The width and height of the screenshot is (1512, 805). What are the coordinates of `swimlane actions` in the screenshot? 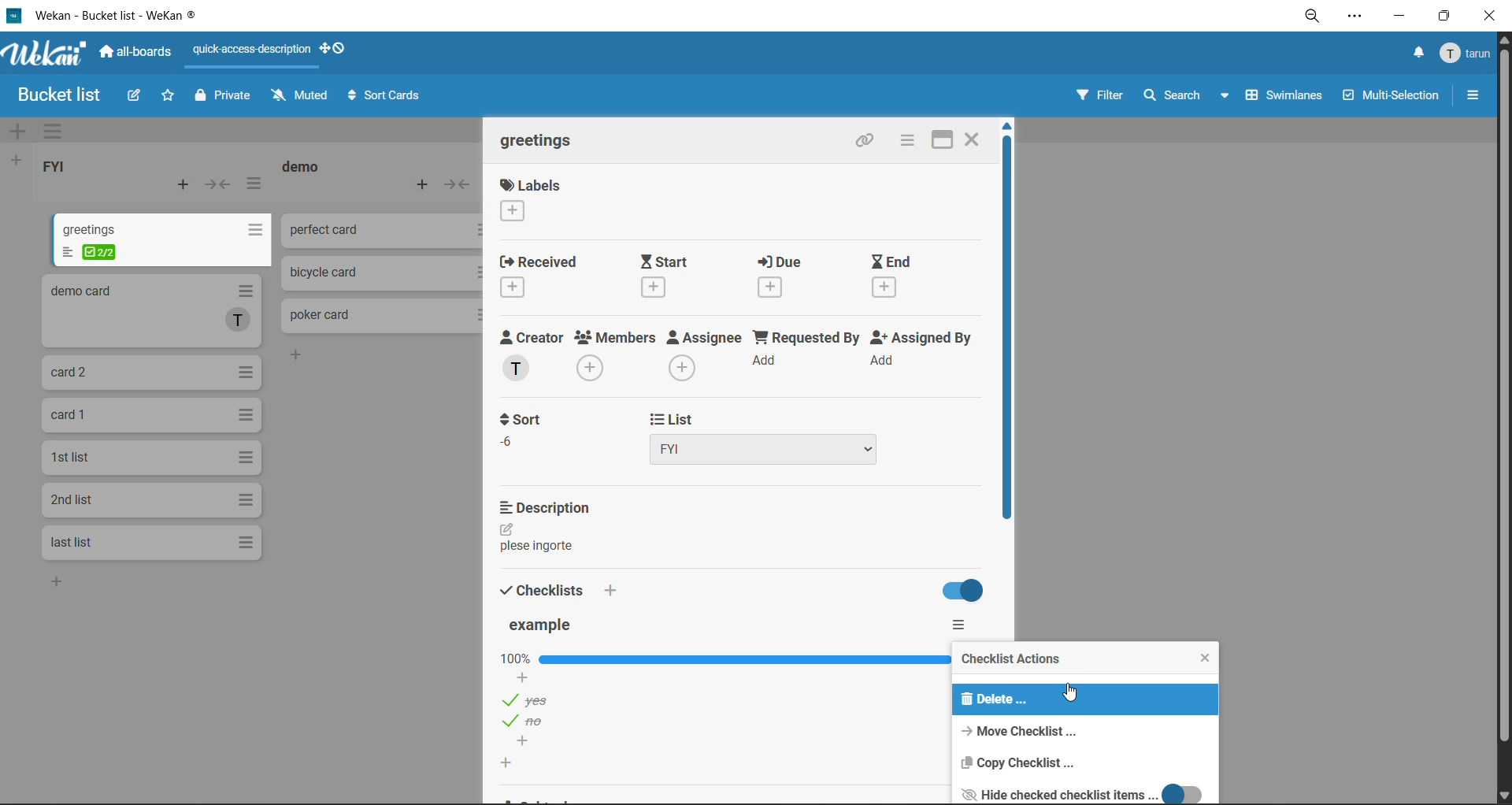 It's located at (59, 131).